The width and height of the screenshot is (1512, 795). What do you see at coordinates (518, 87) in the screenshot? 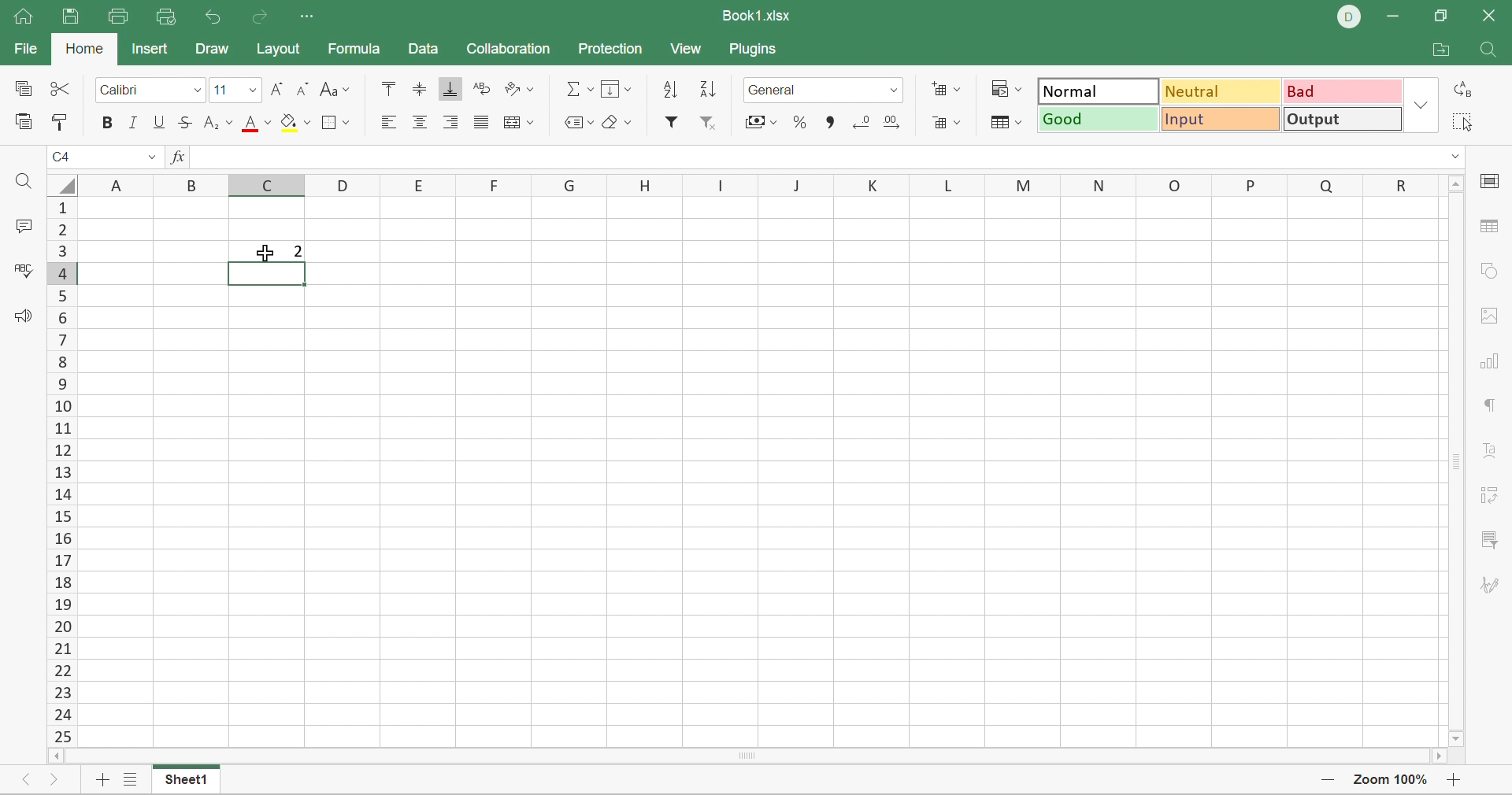
I see `Orientation` at bounding box center [518, 87].